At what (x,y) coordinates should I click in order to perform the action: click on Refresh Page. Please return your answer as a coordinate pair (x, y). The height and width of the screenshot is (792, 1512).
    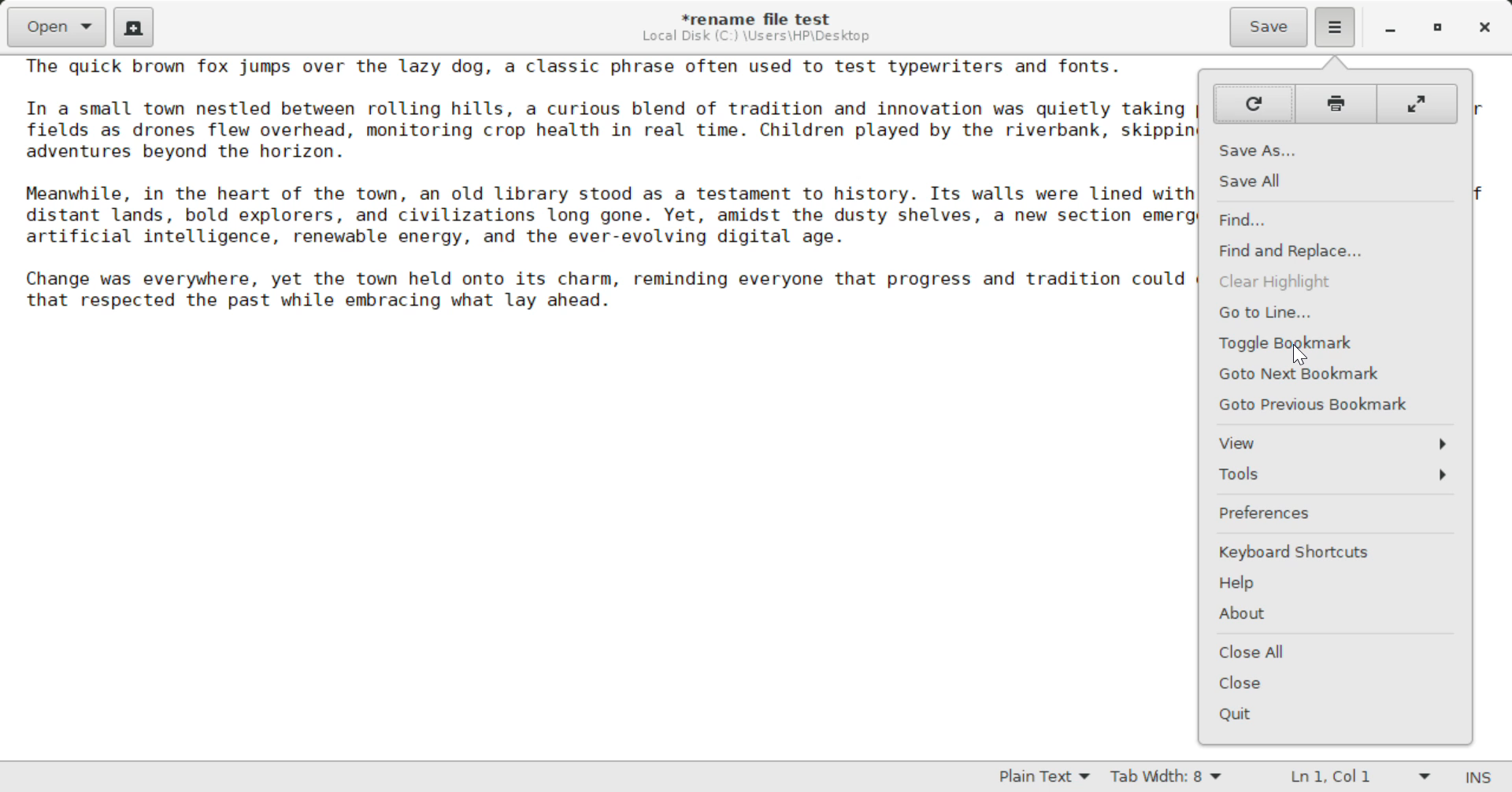
    Looking at the image, I should click on (1254, 103).